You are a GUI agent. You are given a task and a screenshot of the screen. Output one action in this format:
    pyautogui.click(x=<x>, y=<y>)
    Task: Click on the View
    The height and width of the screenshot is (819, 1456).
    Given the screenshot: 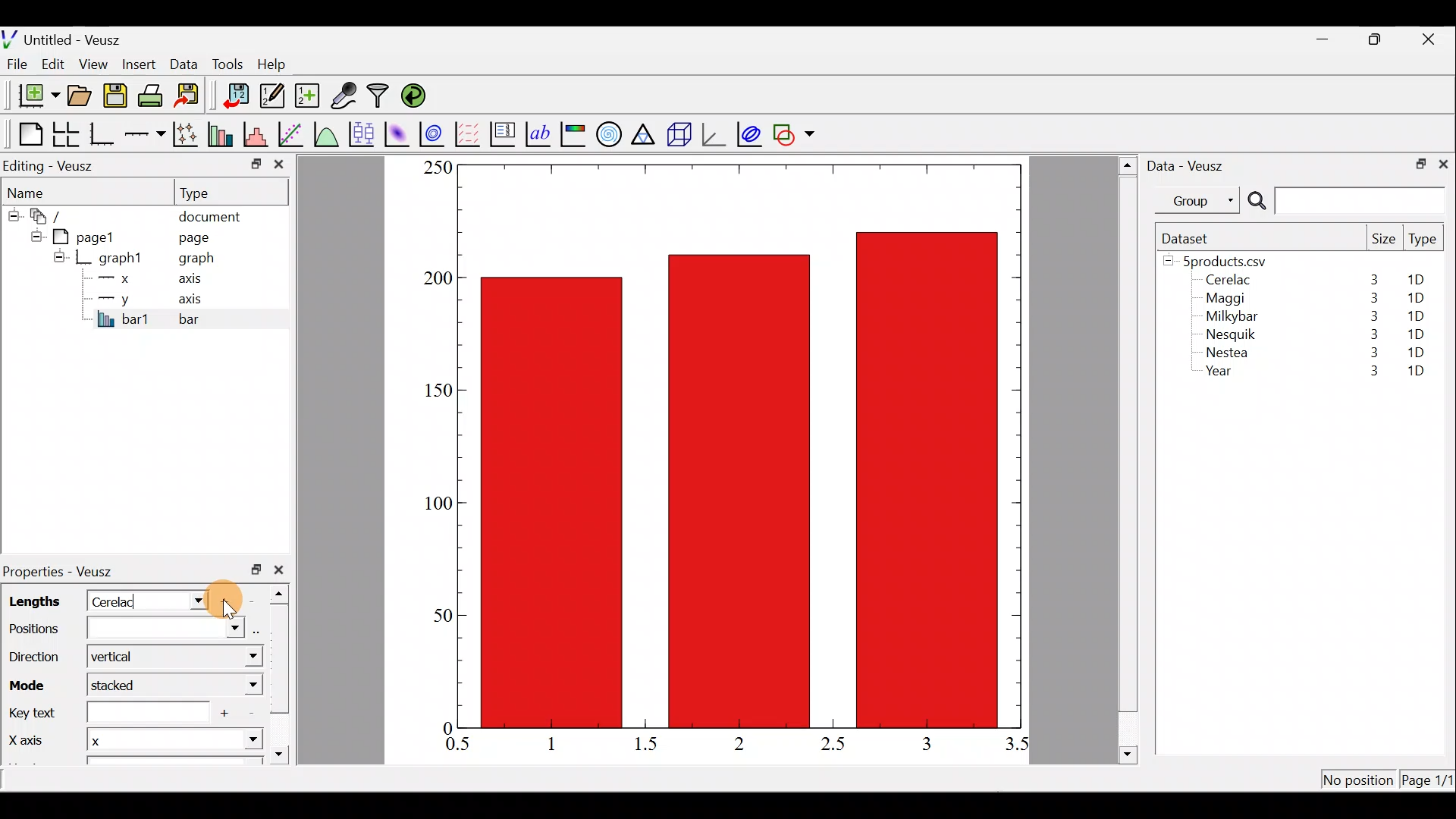 What is the action you would take?
    pyautogui.click(x=96, y=61)
    